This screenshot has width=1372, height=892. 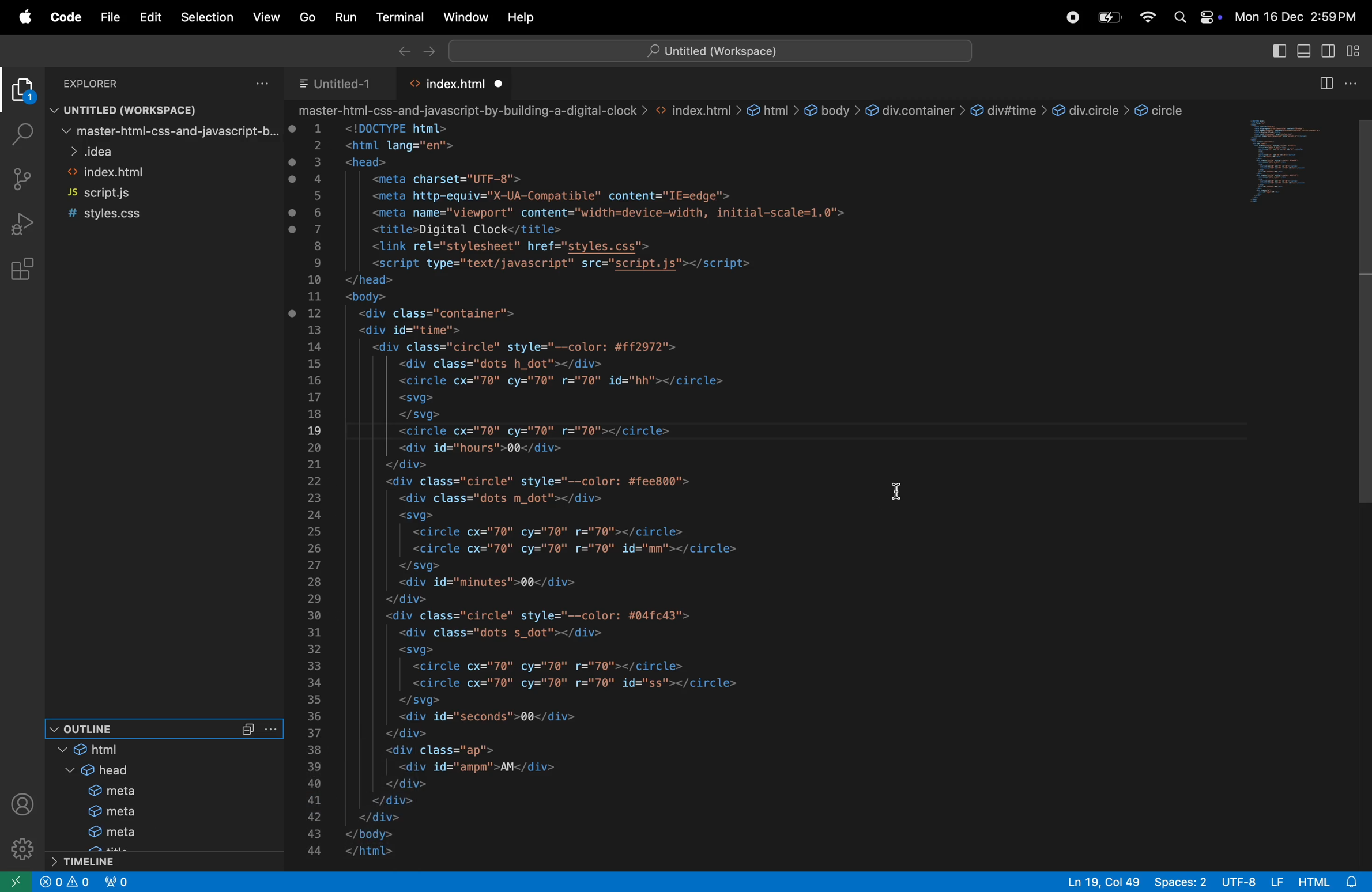 I want to click on scroll bar, so click(x=1363, y=482).